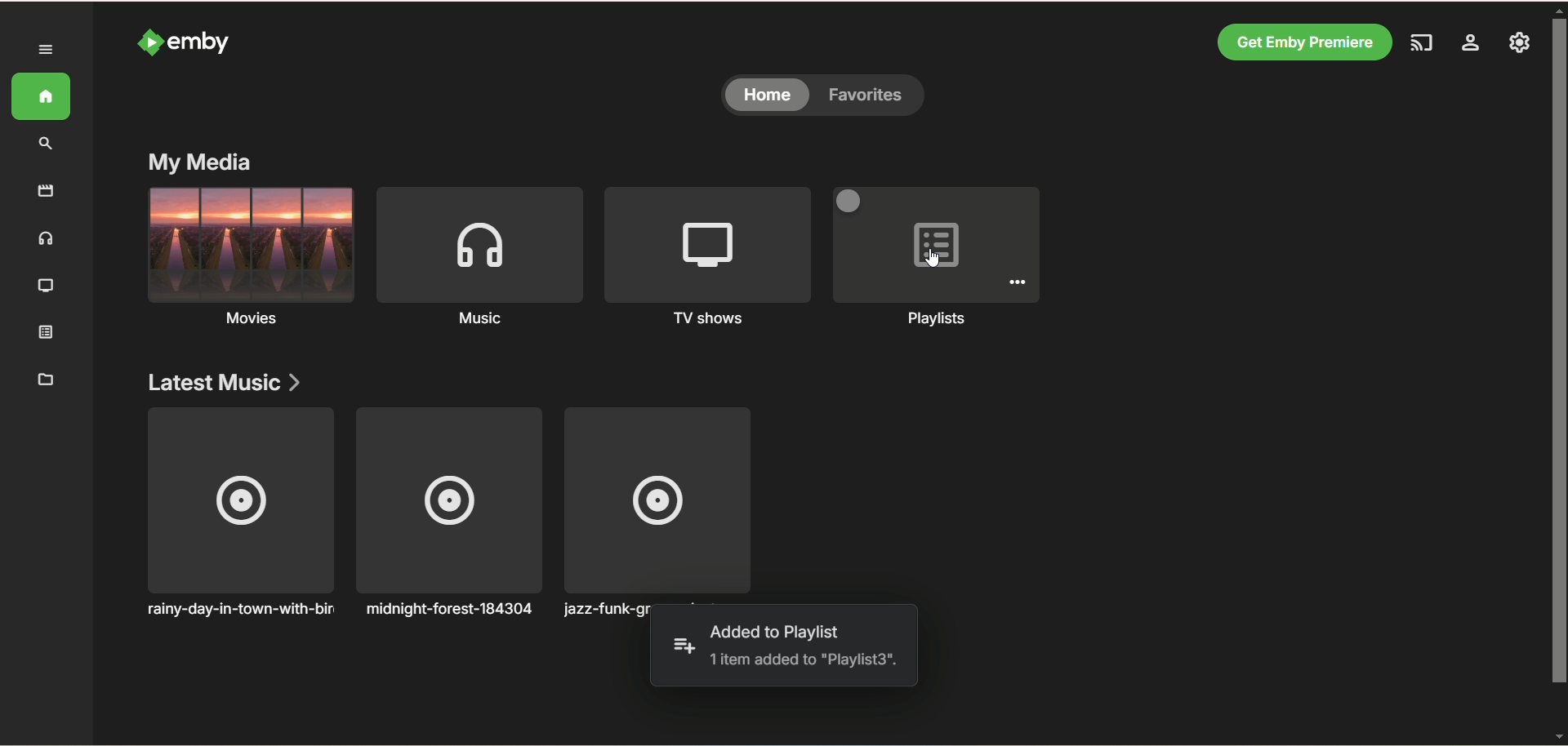 This screenshot has height=746, width=1568. Describe the element at coordinates (1303, 42) in the screenshot. I see `Get emby premiere` at that location.